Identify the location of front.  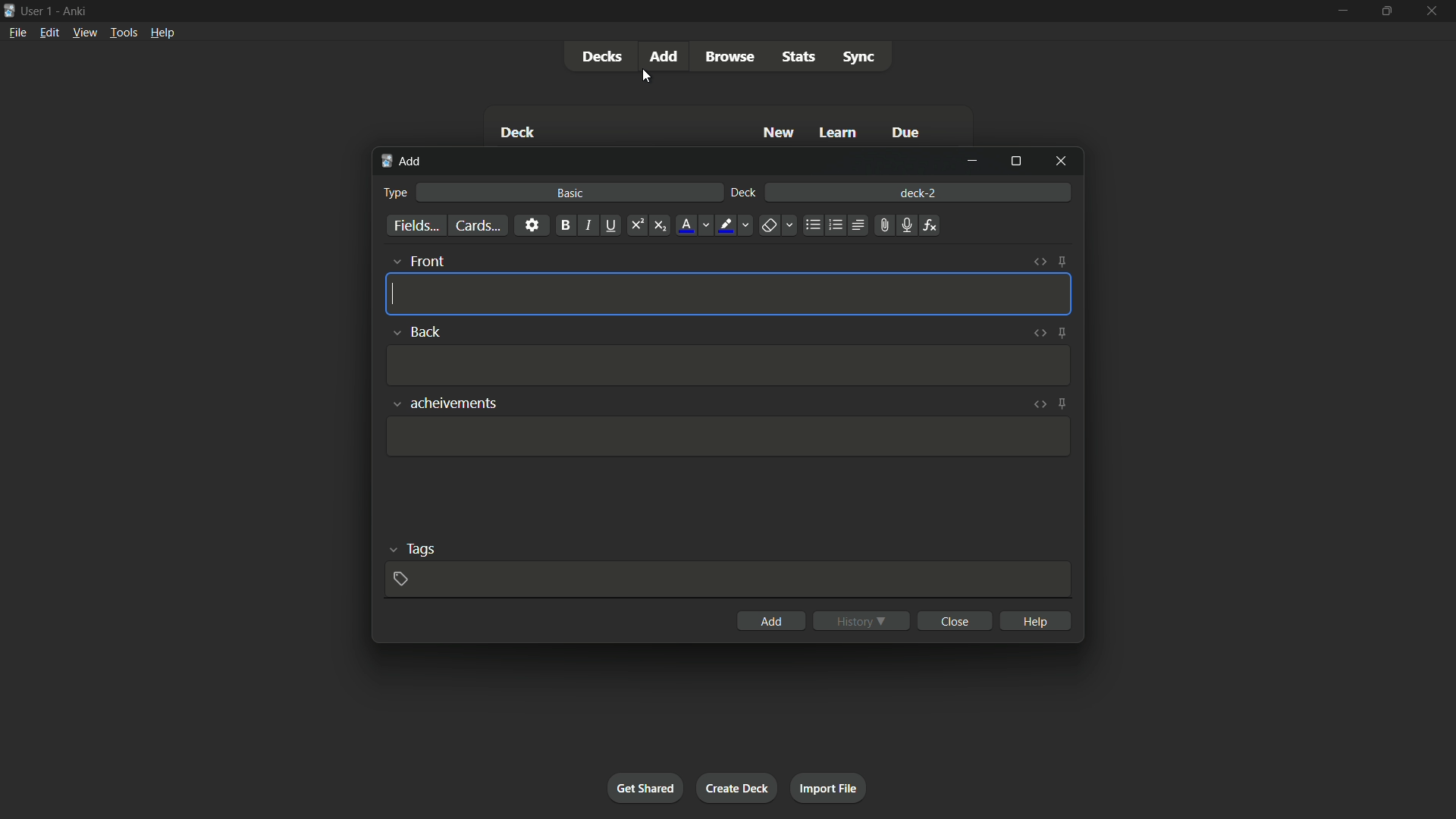
(415, 261).